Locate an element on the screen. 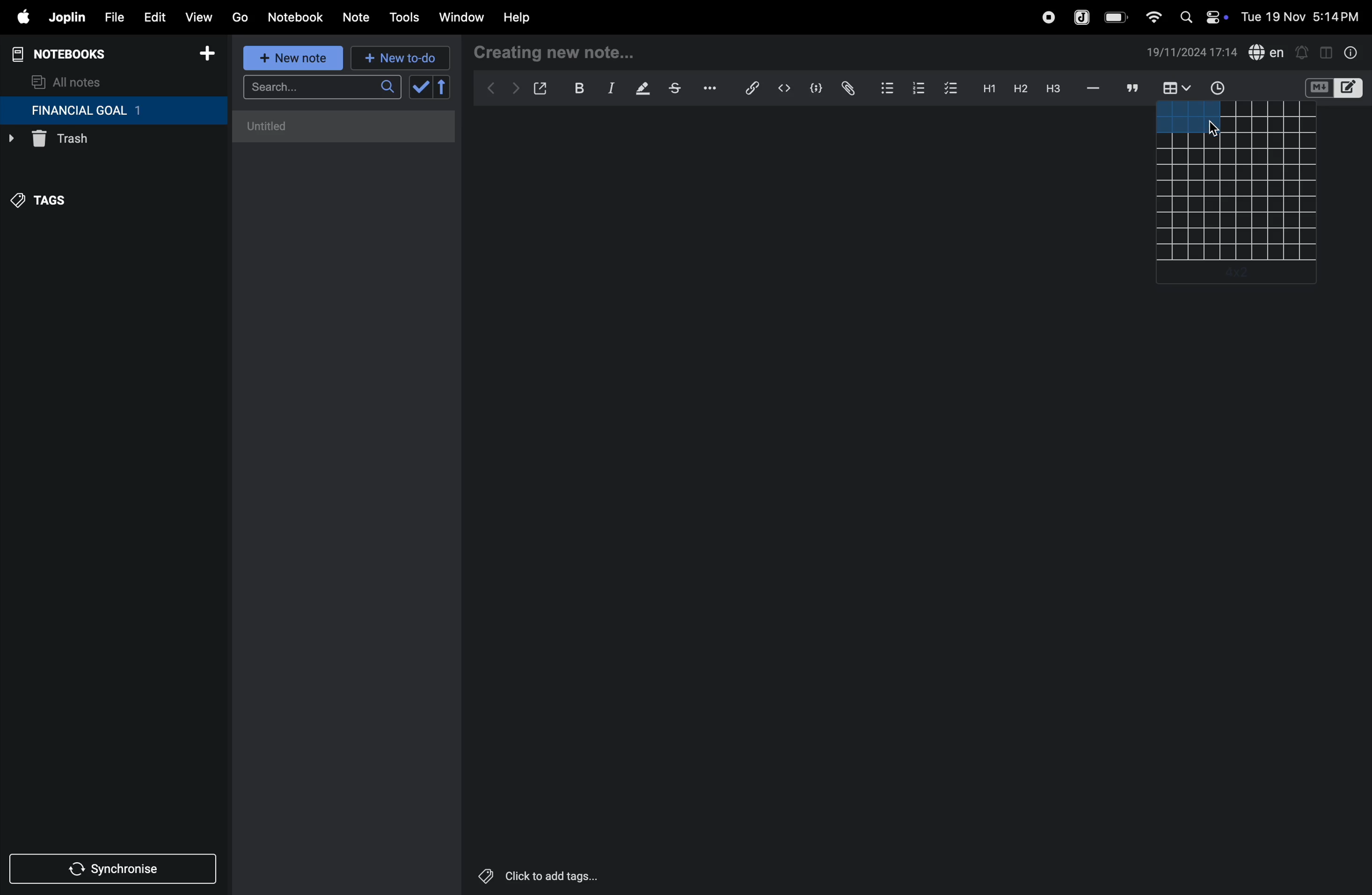 The width and height of the screenshot is (1372, 895). open window is located at coordinates (539, 88).